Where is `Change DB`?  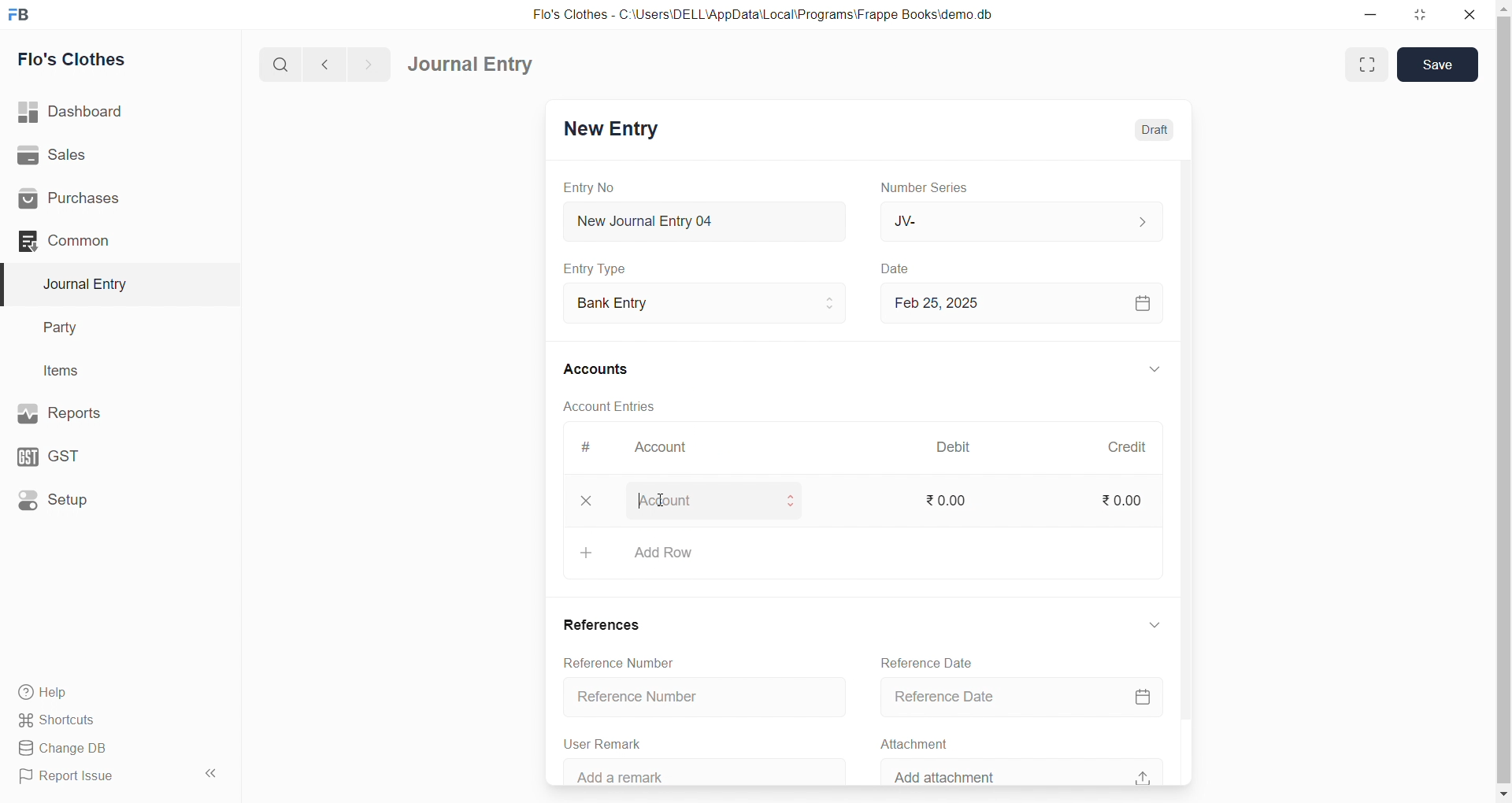 Change DB is located at coordinates (113, 749).